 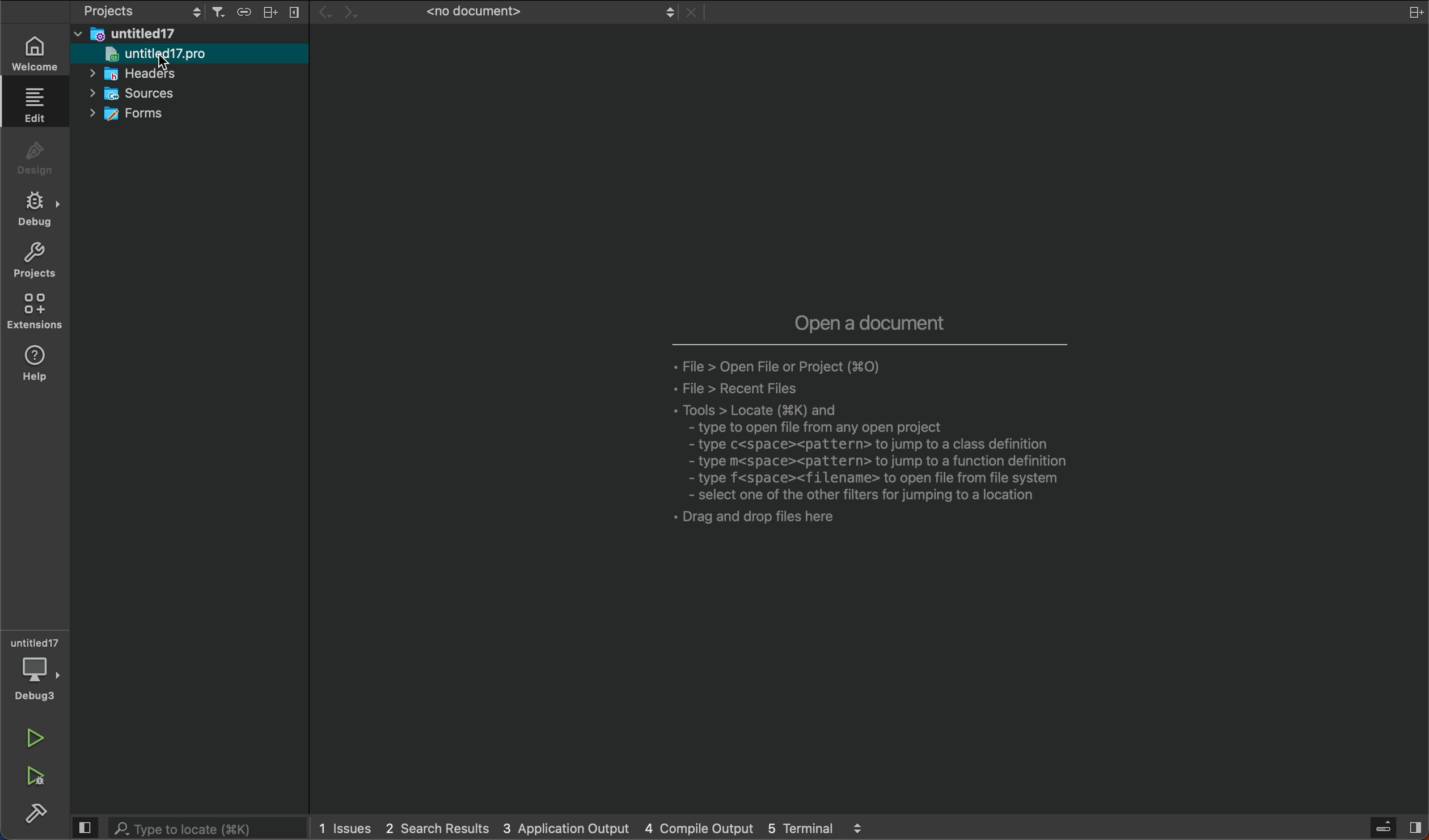 I want to click on edit, so click(x=39, y=109).